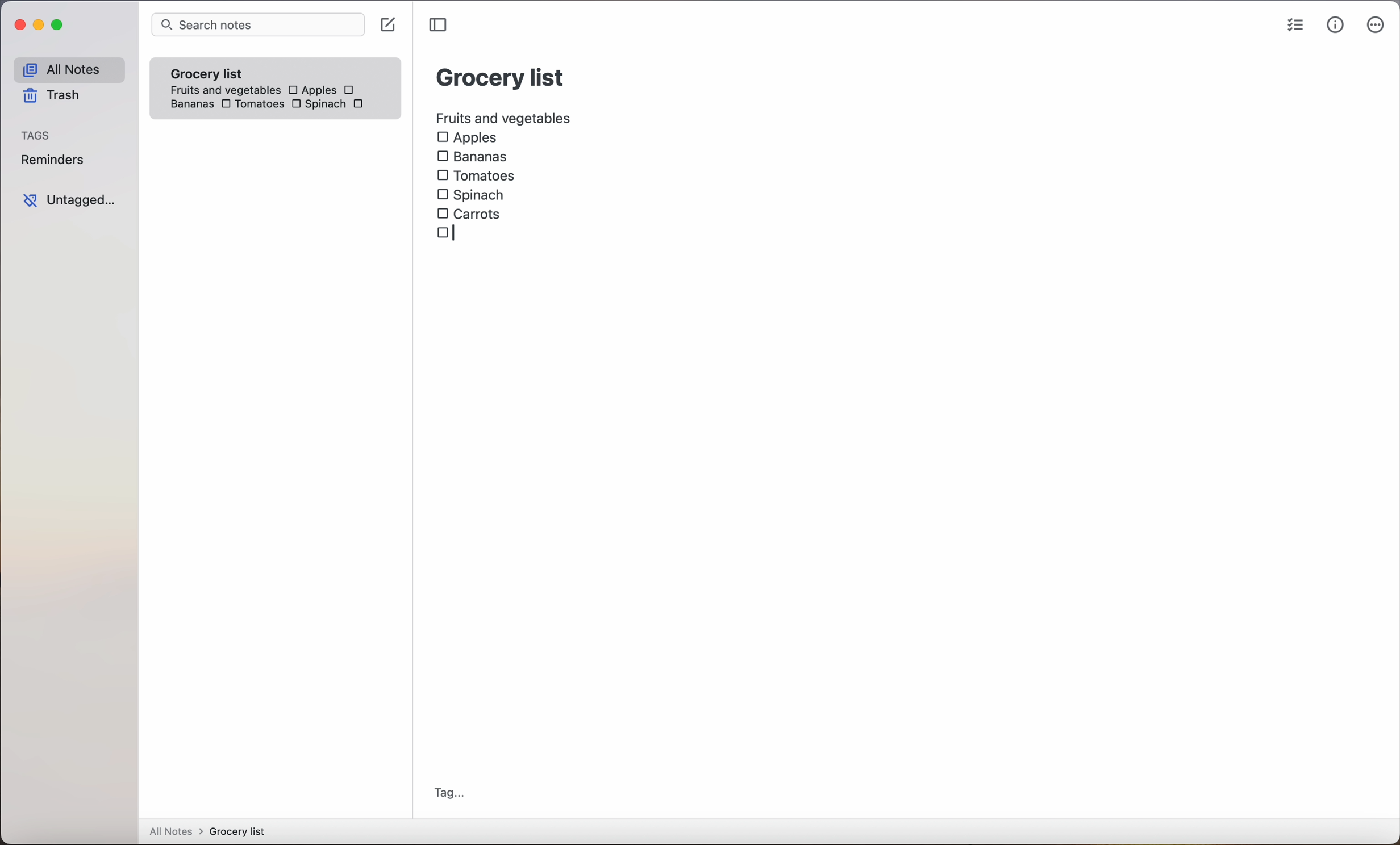 This screenshot has height=845, width=1400. I want to click on reminders, so click(52, 162).